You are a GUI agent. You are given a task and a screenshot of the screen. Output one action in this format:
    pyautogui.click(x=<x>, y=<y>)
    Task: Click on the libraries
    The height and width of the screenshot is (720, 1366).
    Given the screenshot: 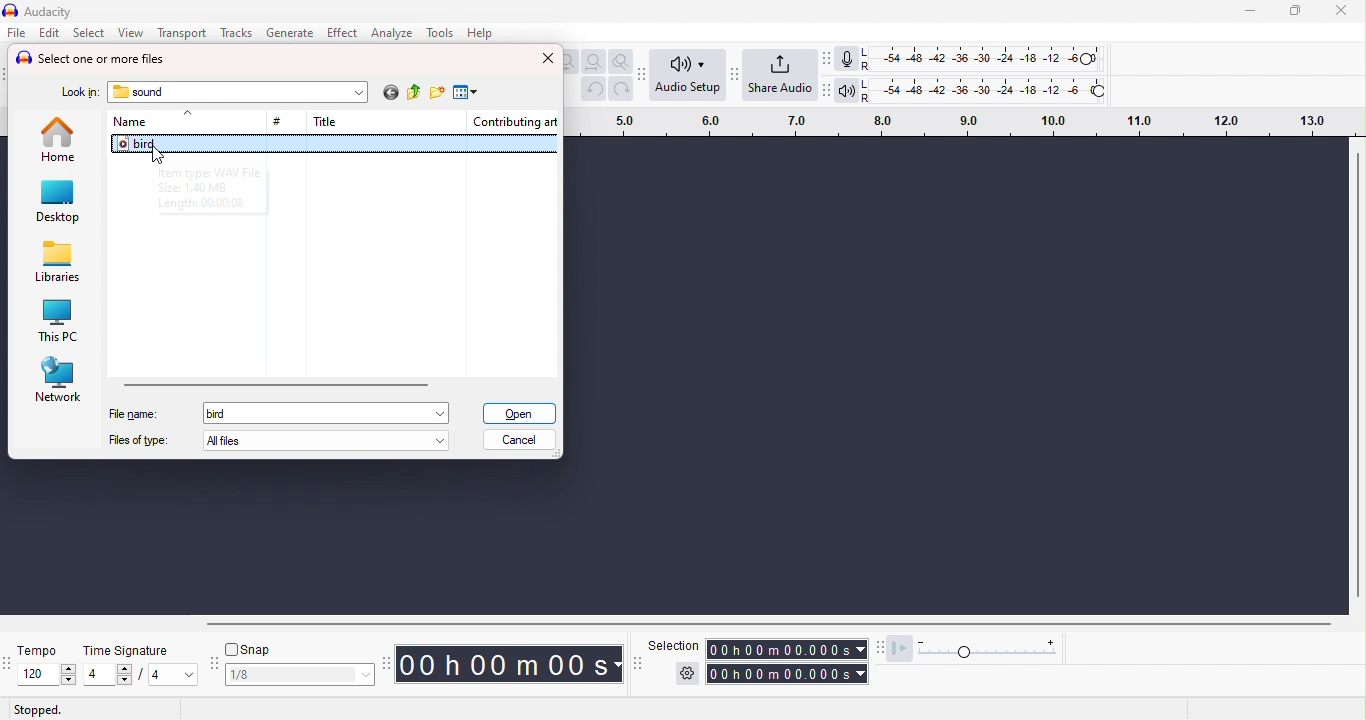 What is the action you would take?
    pyautogui.click(x=58, y=262)
    